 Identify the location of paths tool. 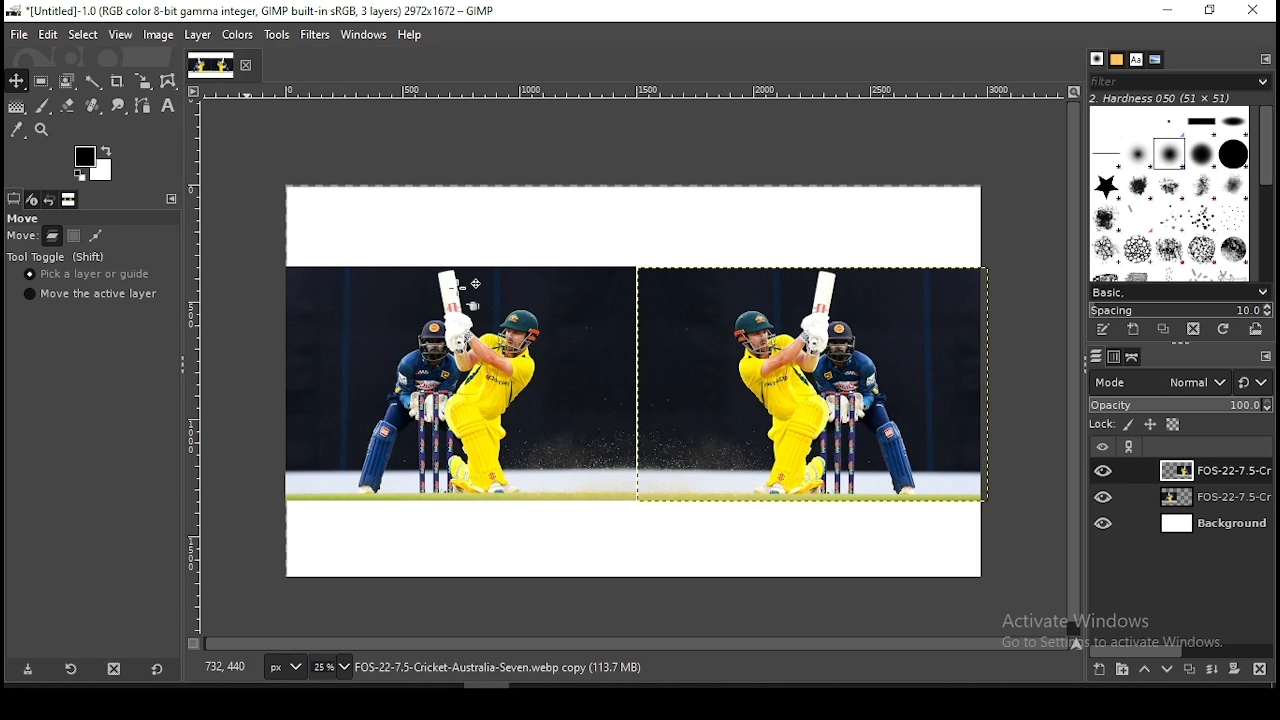
(140, 107).